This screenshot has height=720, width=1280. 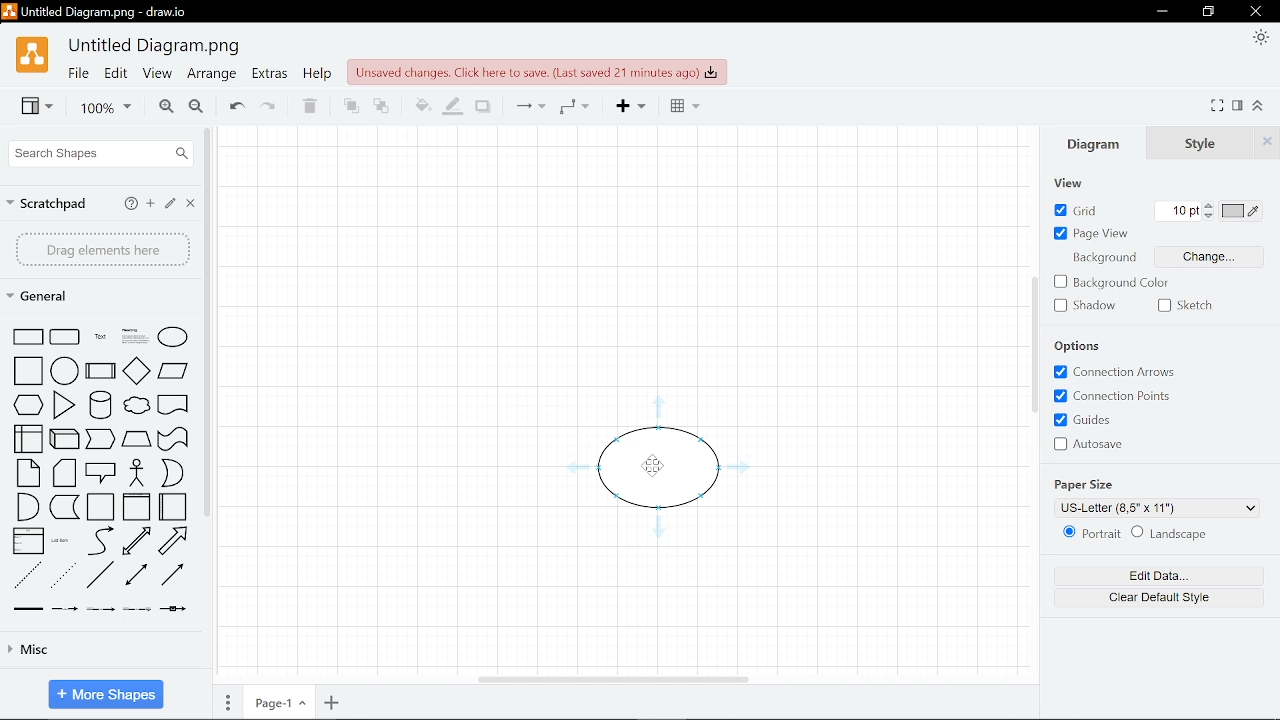 I want to click on Window name - Untitled Diagram.png - draw.io, so click(x=102, y=12).